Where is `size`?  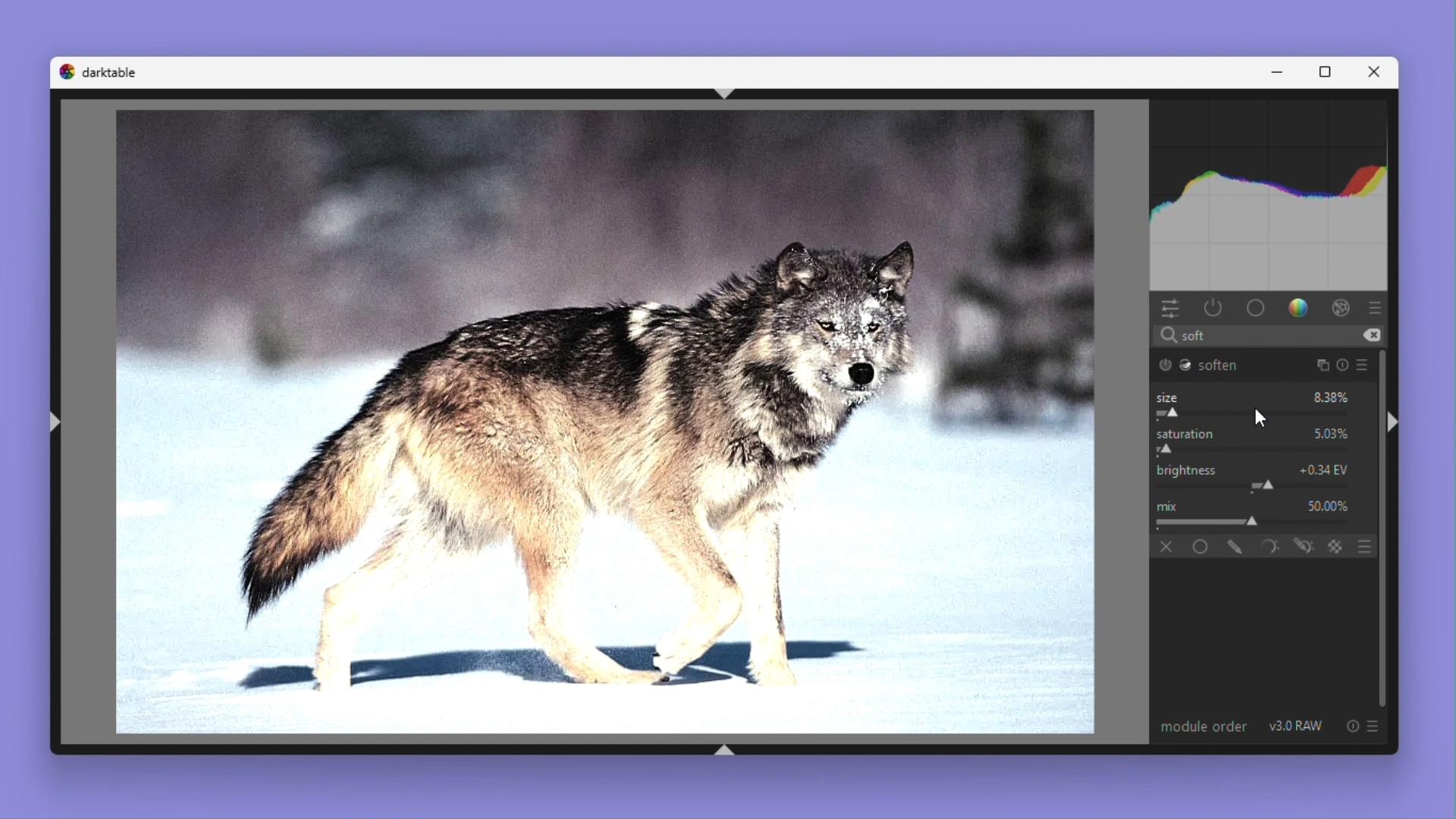 size is located at coordinates (1167, 397).